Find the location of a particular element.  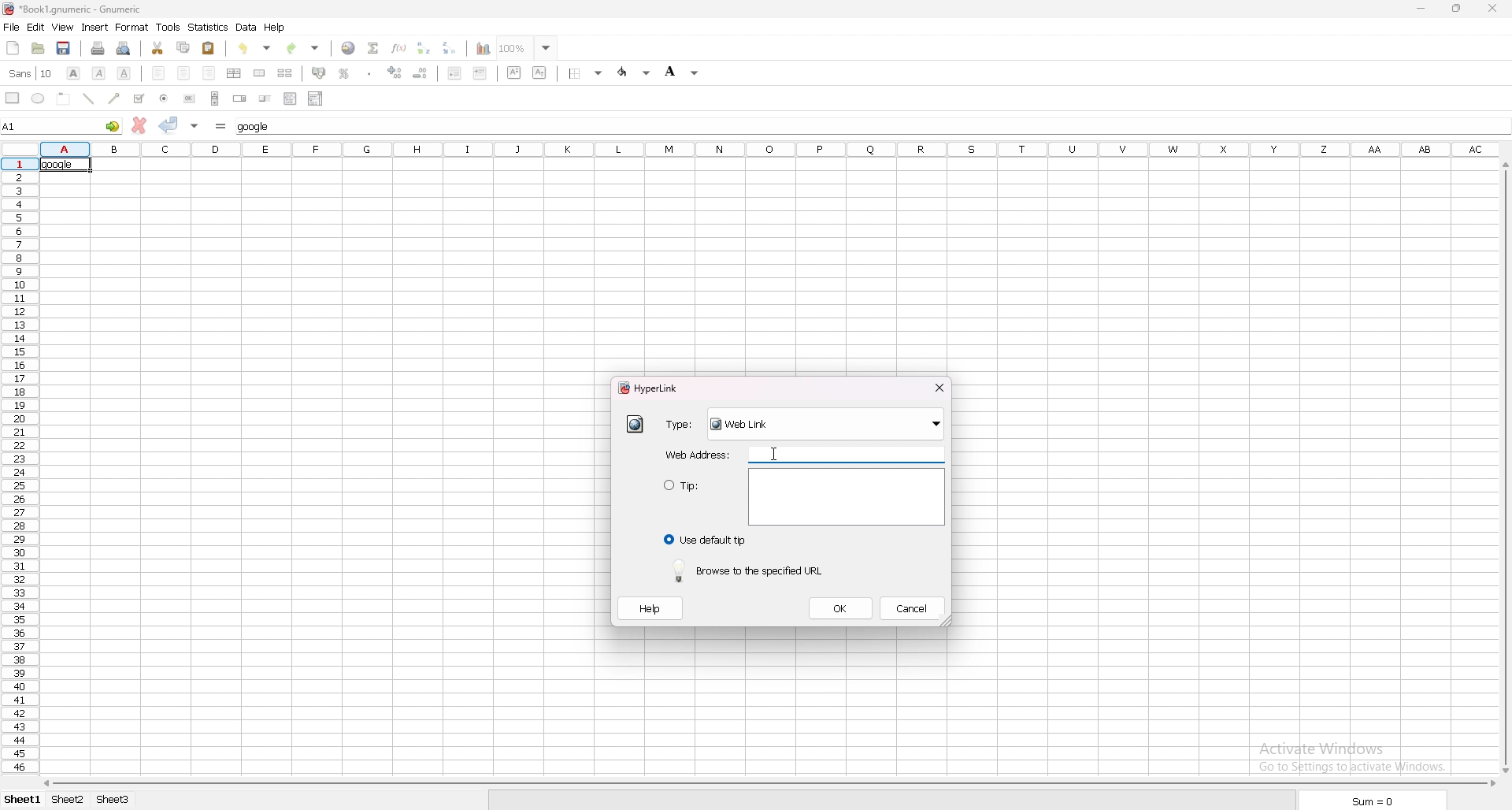

help is located at coordinates (648, 607).